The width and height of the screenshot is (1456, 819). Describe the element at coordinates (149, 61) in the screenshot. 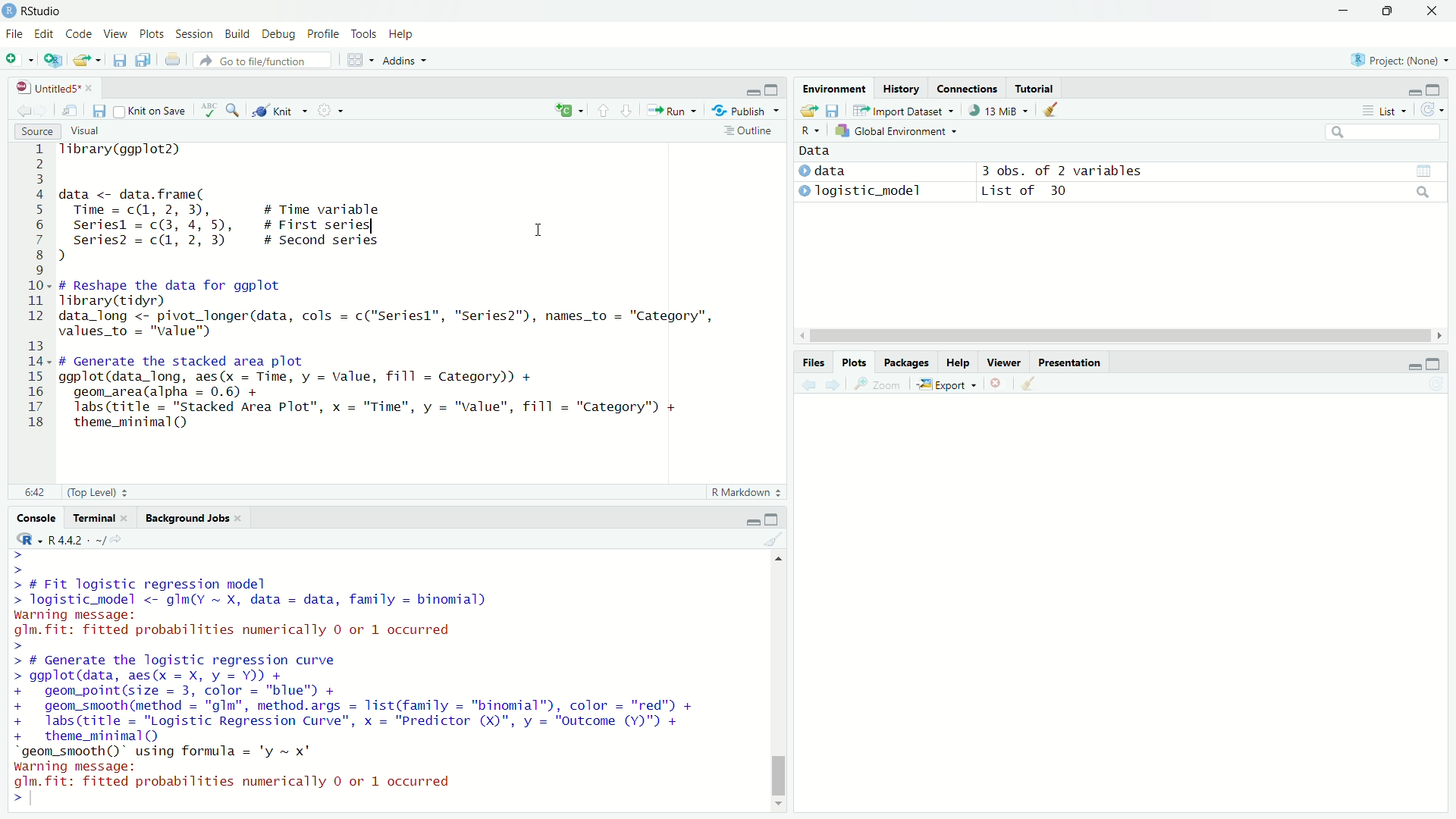

I see `copy` at that location.